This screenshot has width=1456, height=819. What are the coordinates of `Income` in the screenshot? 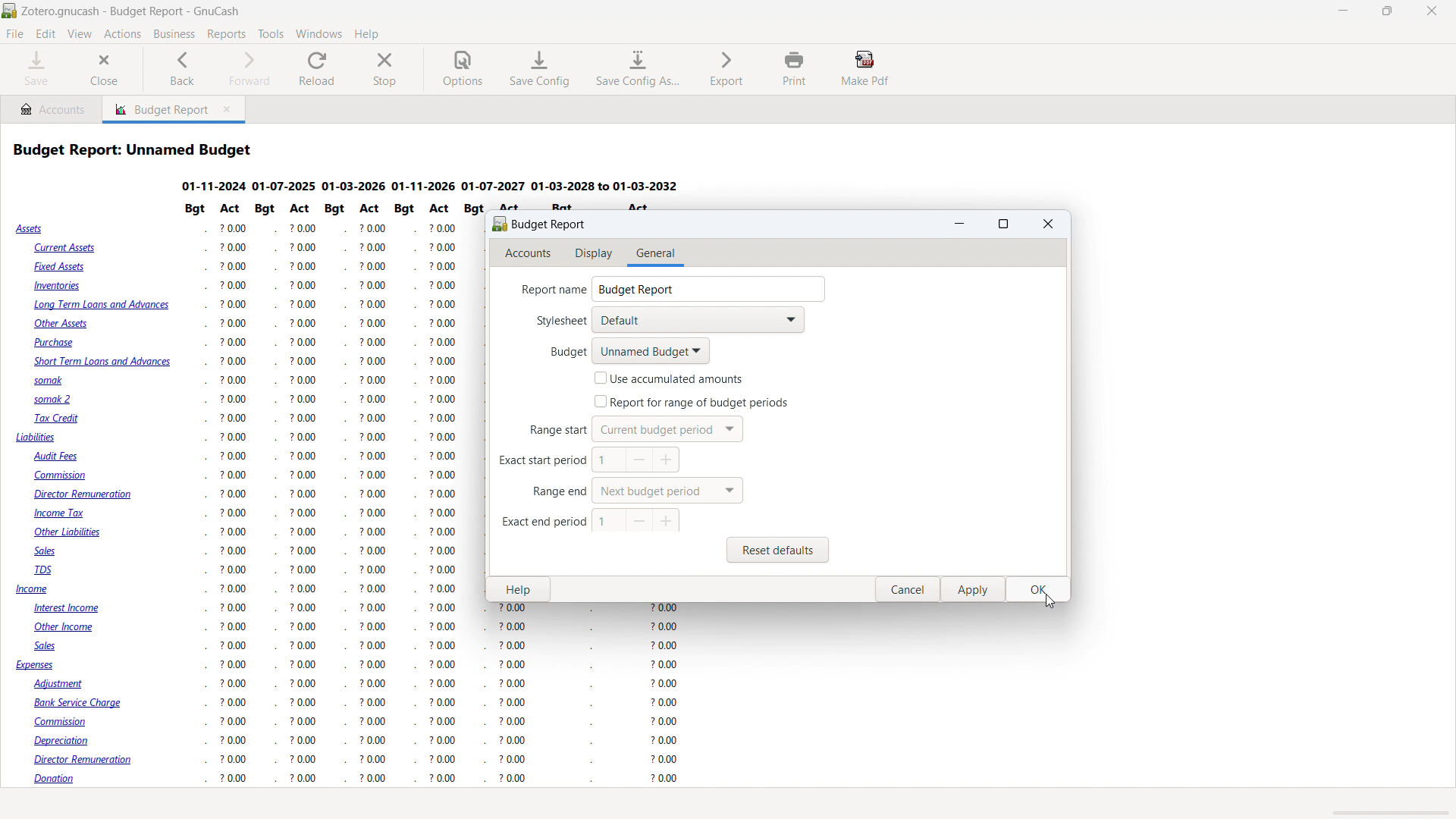 It's located at (33, 590).